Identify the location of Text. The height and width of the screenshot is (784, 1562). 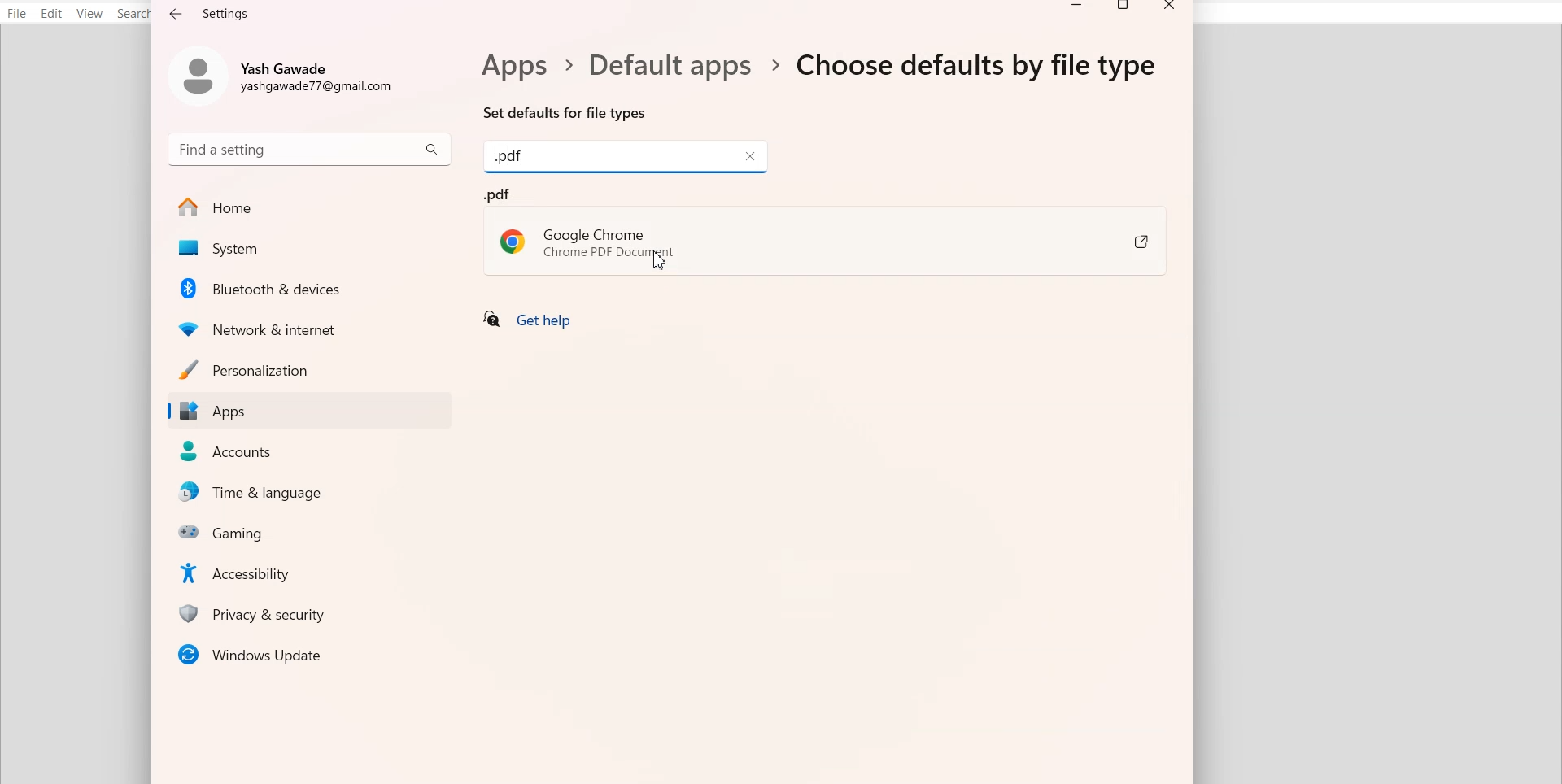
(512, 159).